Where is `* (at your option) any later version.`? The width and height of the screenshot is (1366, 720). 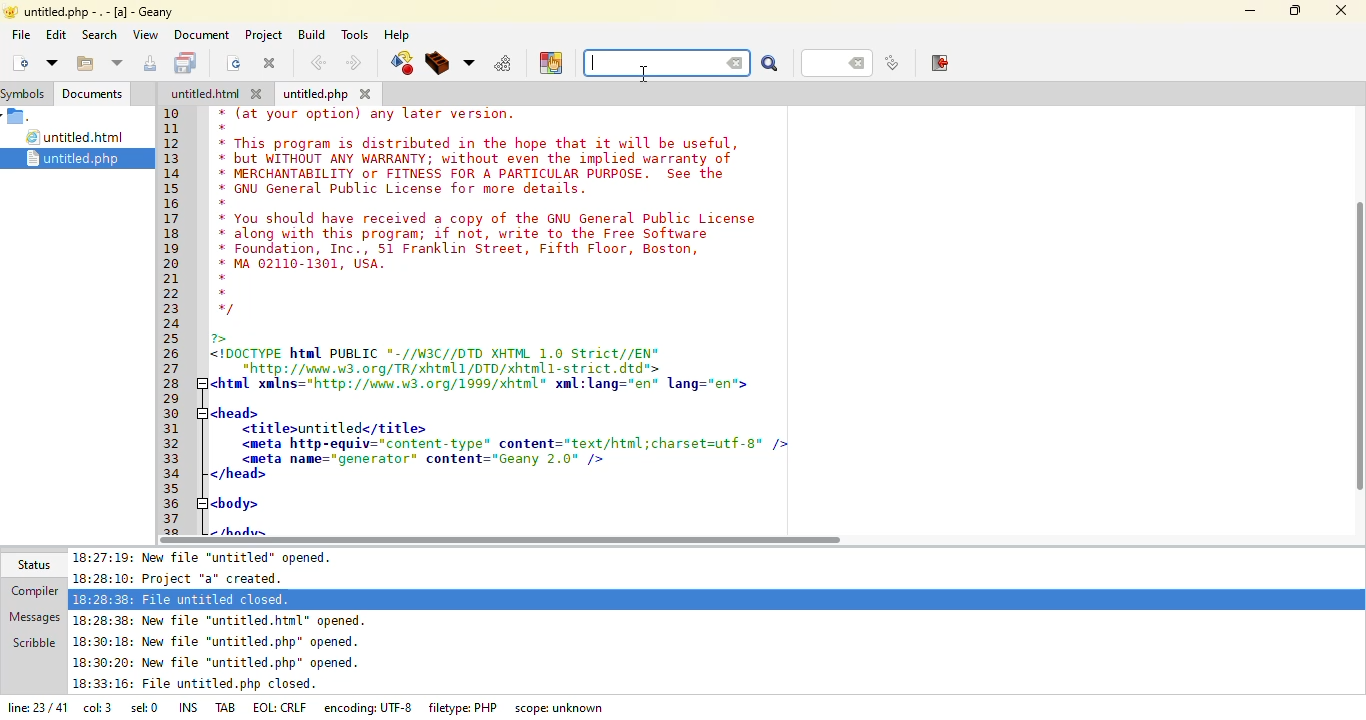
* (at your option) any later version. is located at coordinates (371, 114).